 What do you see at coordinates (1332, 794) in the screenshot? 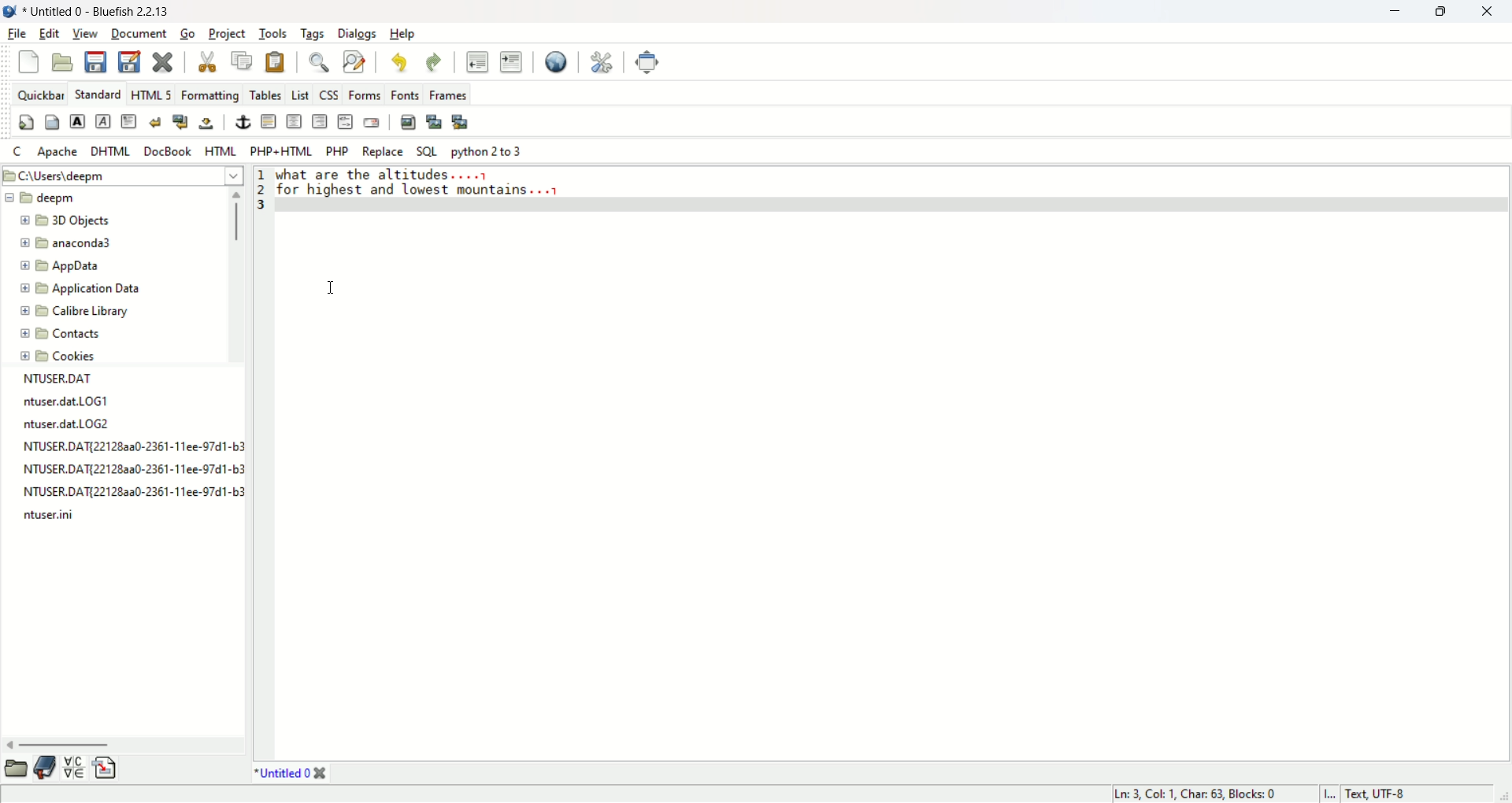
I see `I` at bounding box center [1332, 794].